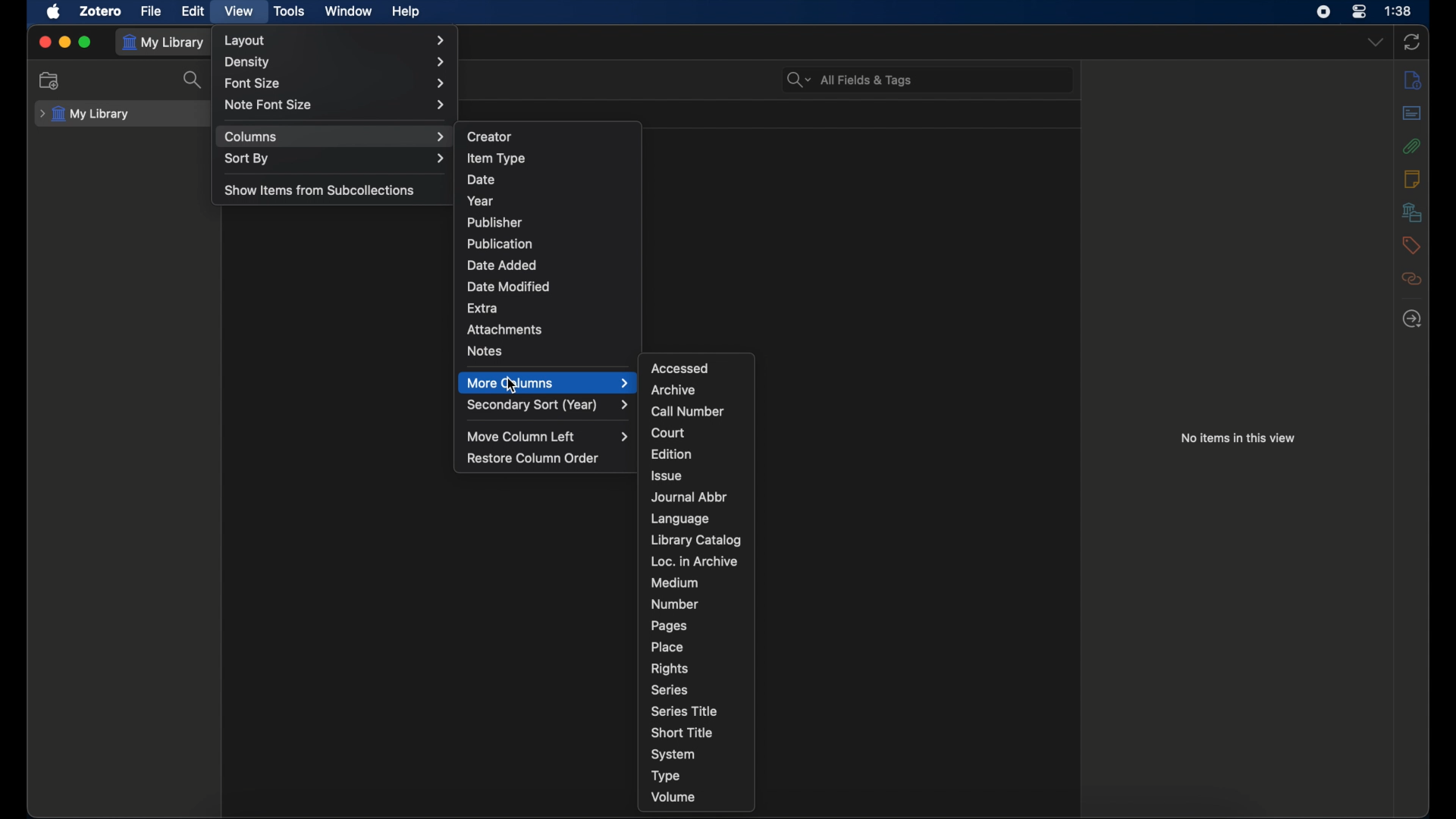  What do you see at coordinates (64, 42) in the screenshot?
I see `minimize` at bounding box center [64, 42].